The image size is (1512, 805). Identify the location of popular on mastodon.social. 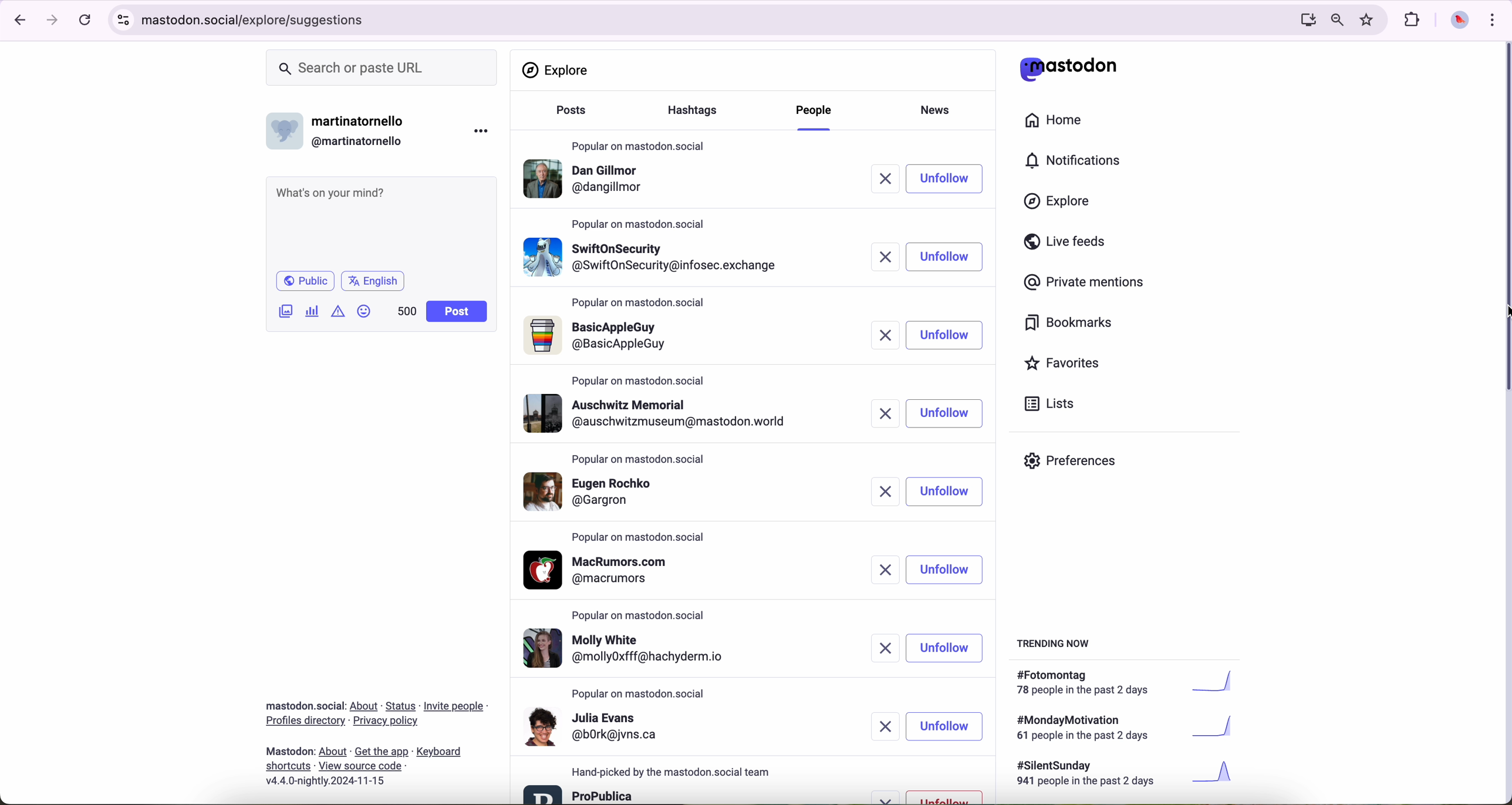
(640, 694).